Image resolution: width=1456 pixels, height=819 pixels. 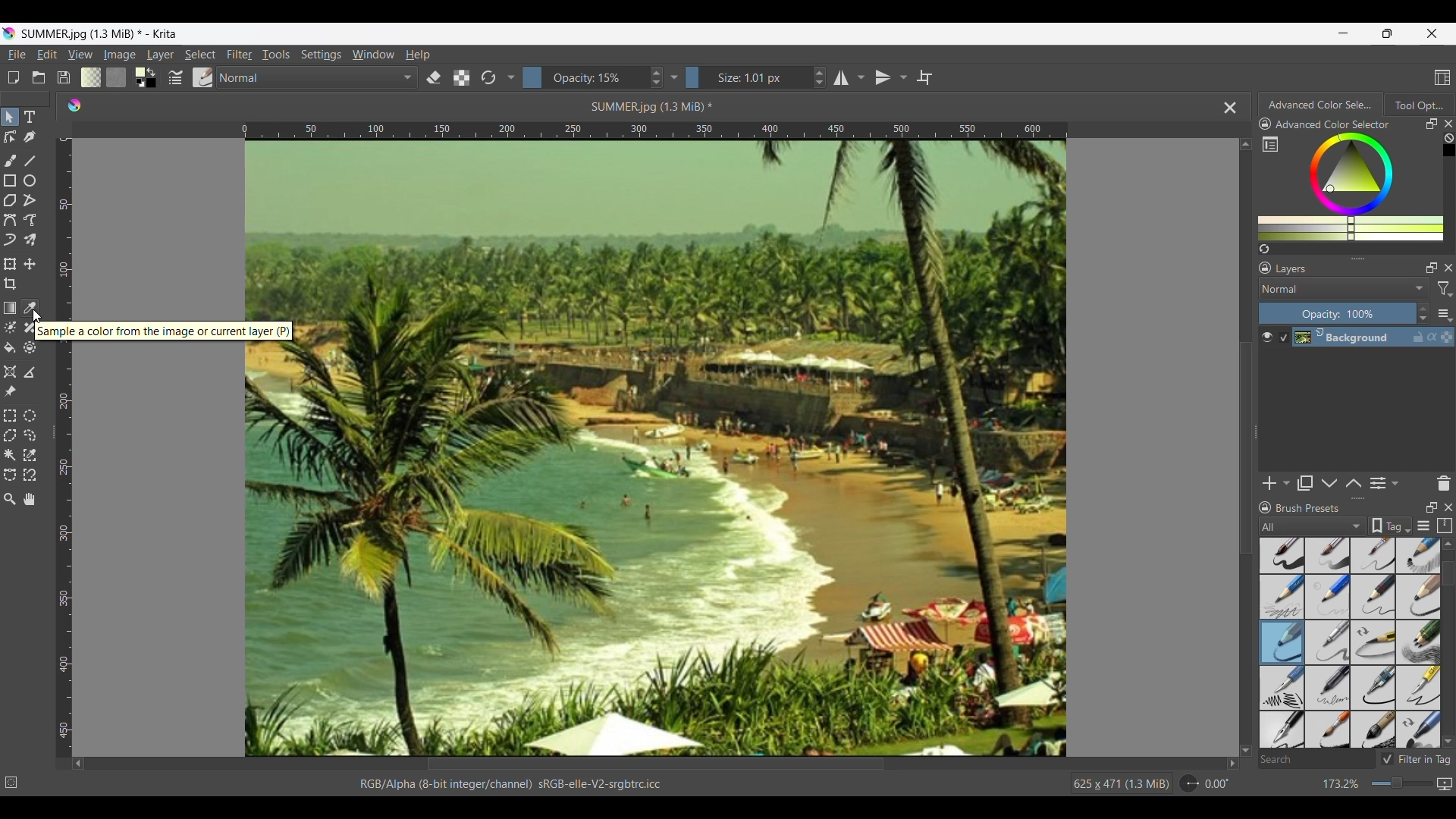 What do you see at coordinates (11, 328) in the screenshot?
I see `Colorize mask tool` at bounding box center [11, 328].